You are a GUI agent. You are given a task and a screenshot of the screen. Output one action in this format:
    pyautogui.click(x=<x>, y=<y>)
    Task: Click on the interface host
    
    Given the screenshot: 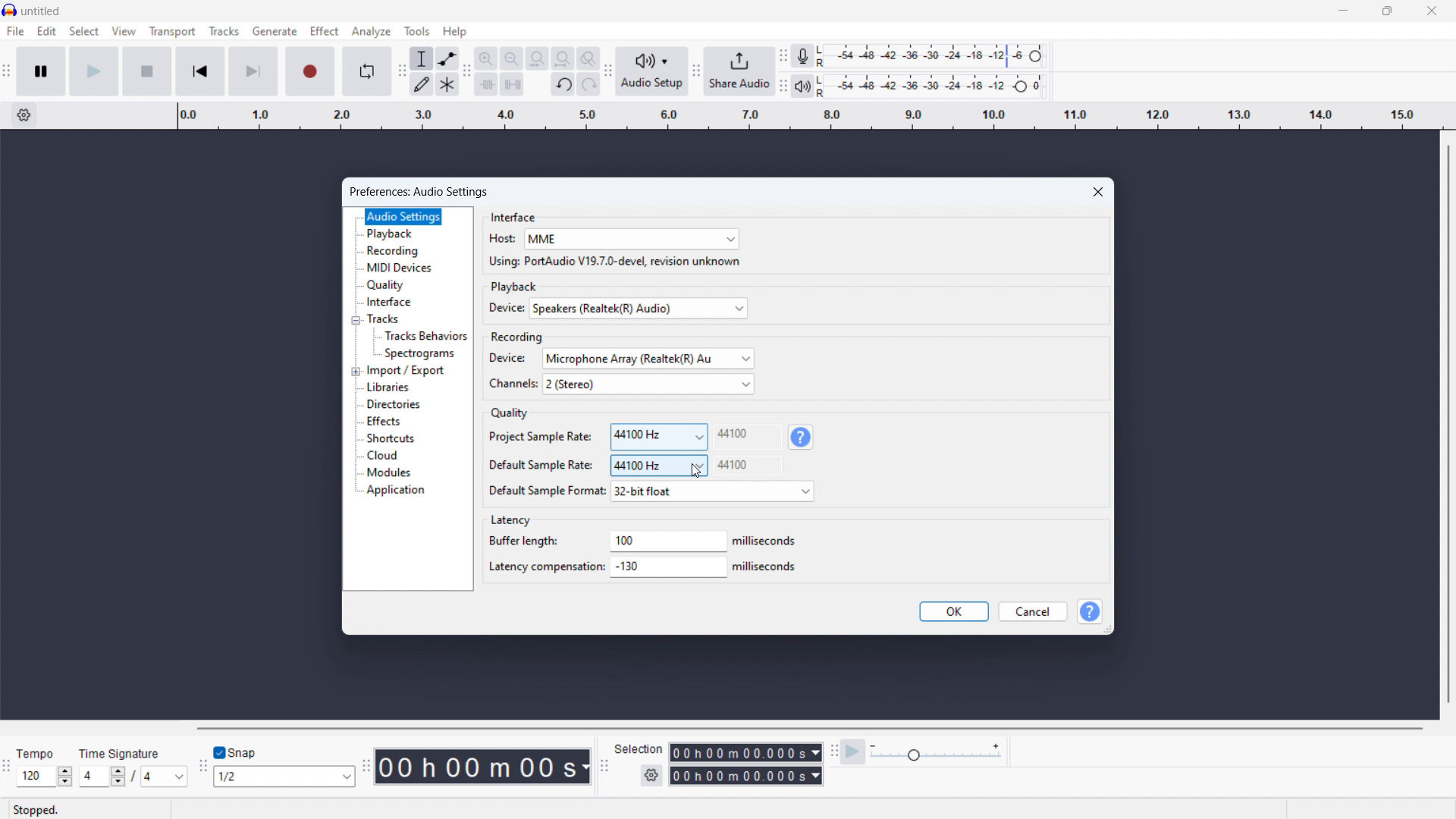 What is the action you would take?
    pyautogui.click(x=631, y=239)
    